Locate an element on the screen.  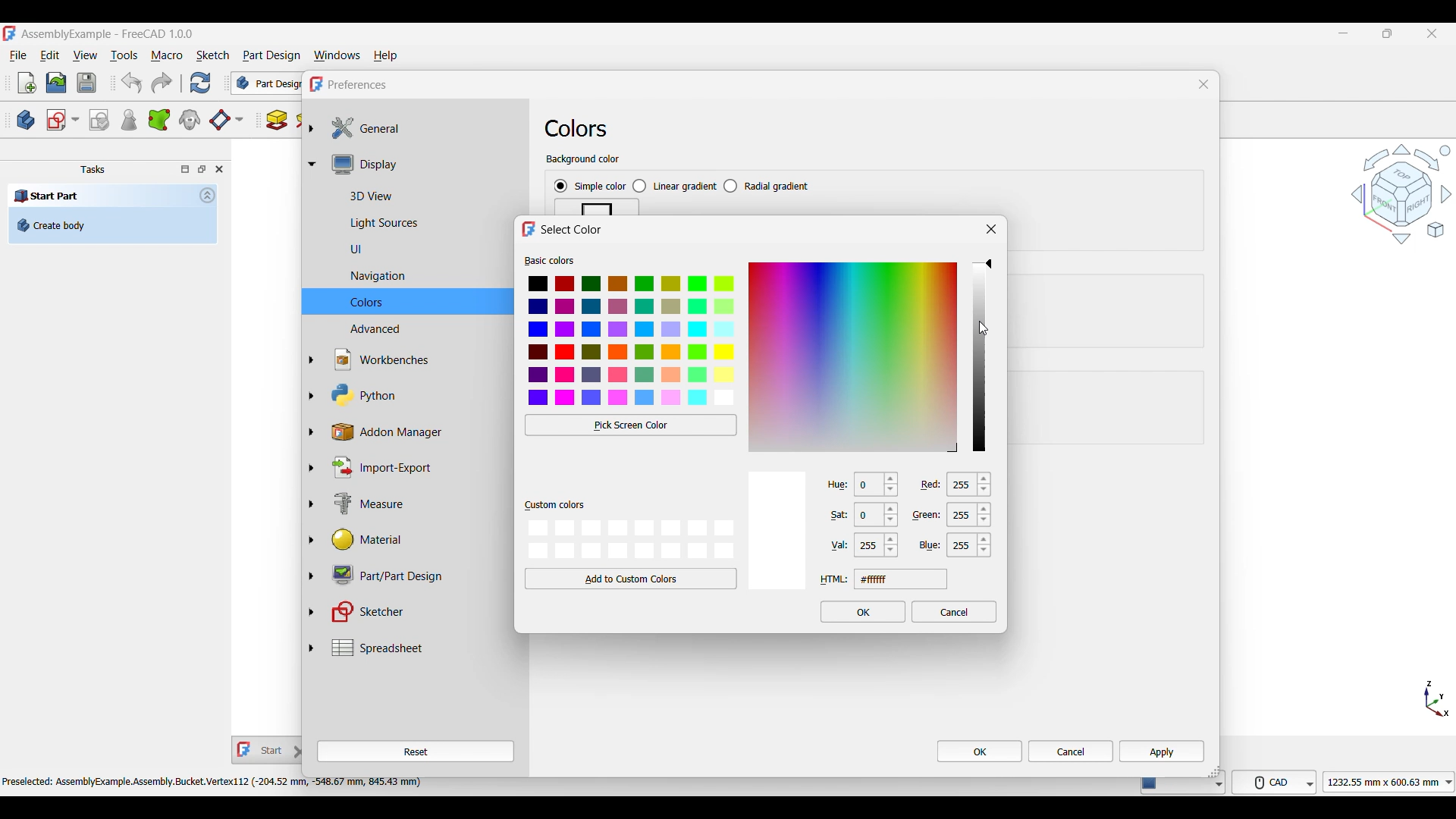
3D View is located at coordinates (423, 194).